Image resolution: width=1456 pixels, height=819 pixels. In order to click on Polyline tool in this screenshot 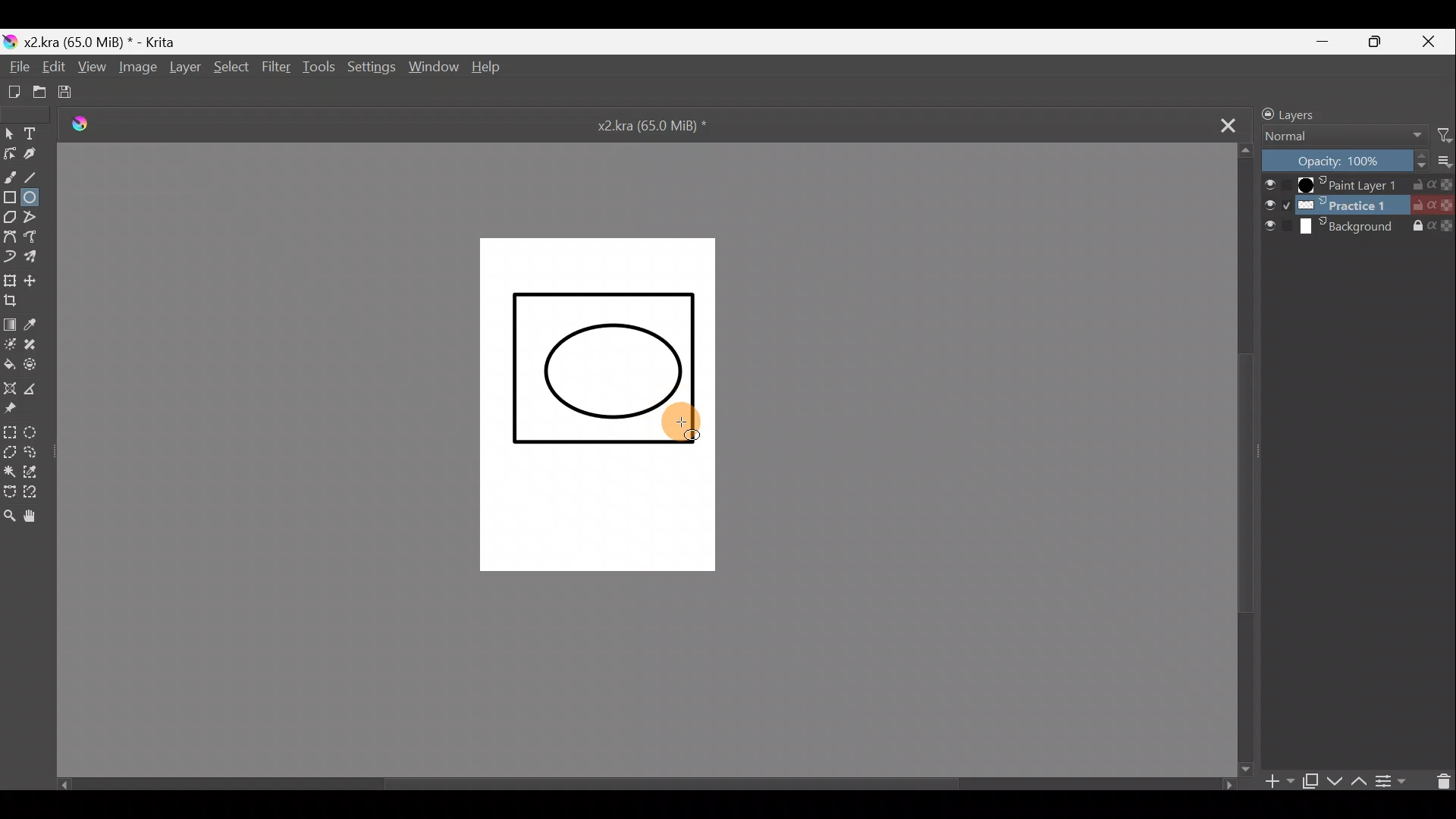, I will do `click(36, 218)`.